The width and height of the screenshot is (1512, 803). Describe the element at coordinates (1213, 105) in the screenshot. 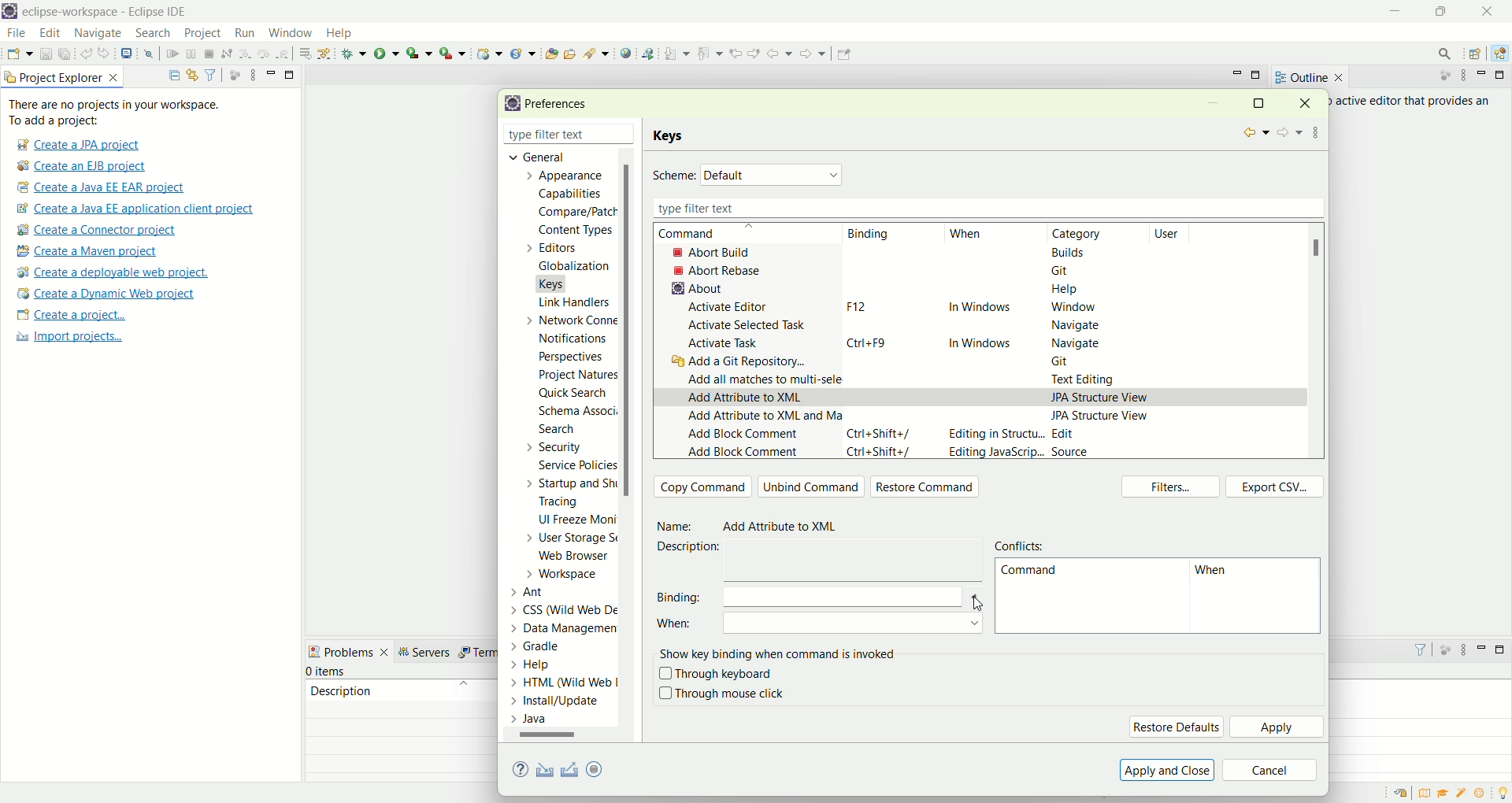

I see `minimize` at that location.